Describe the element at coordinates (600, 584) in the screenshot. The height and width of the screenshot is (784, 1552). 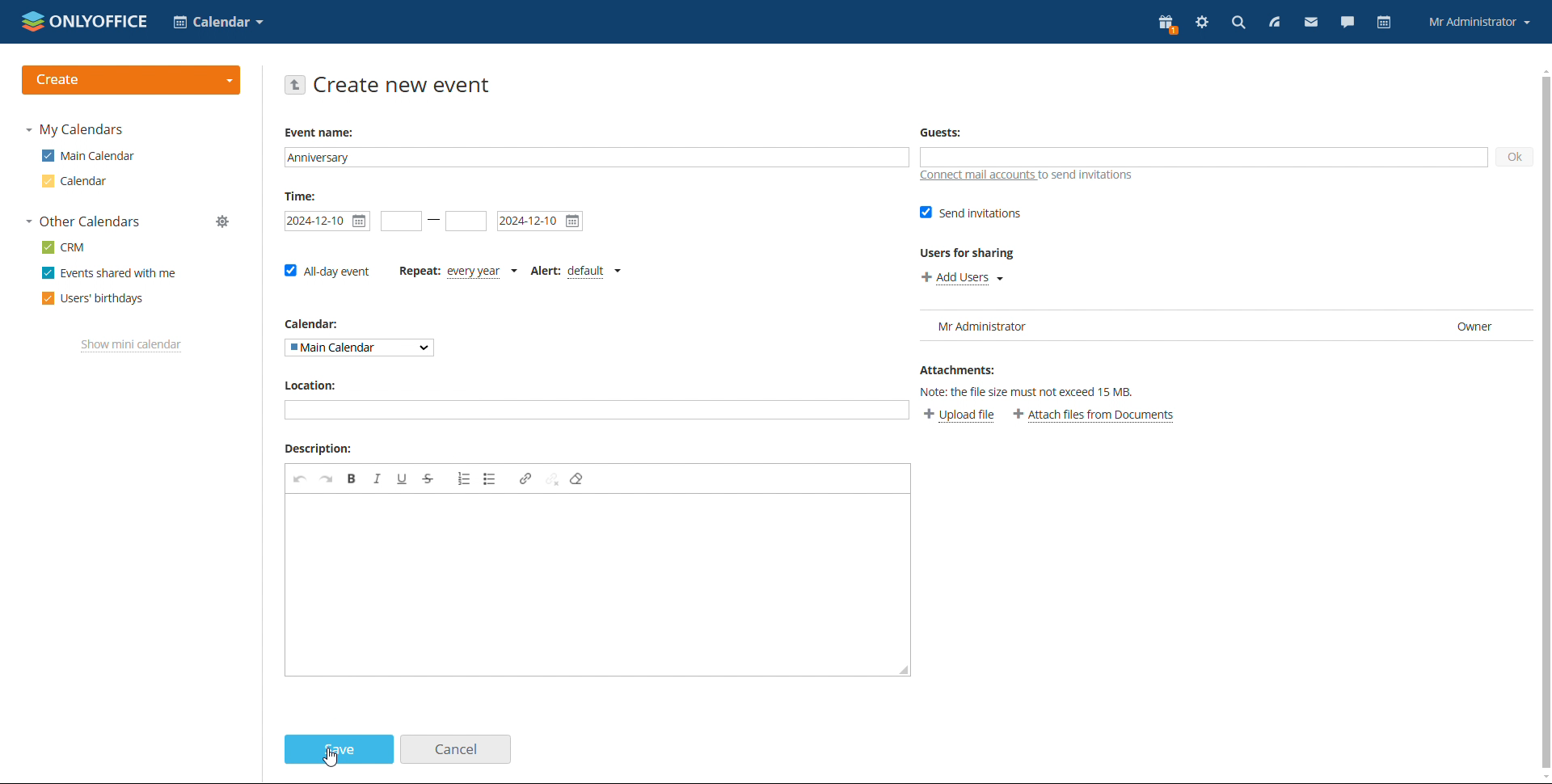
I see `` at that location.